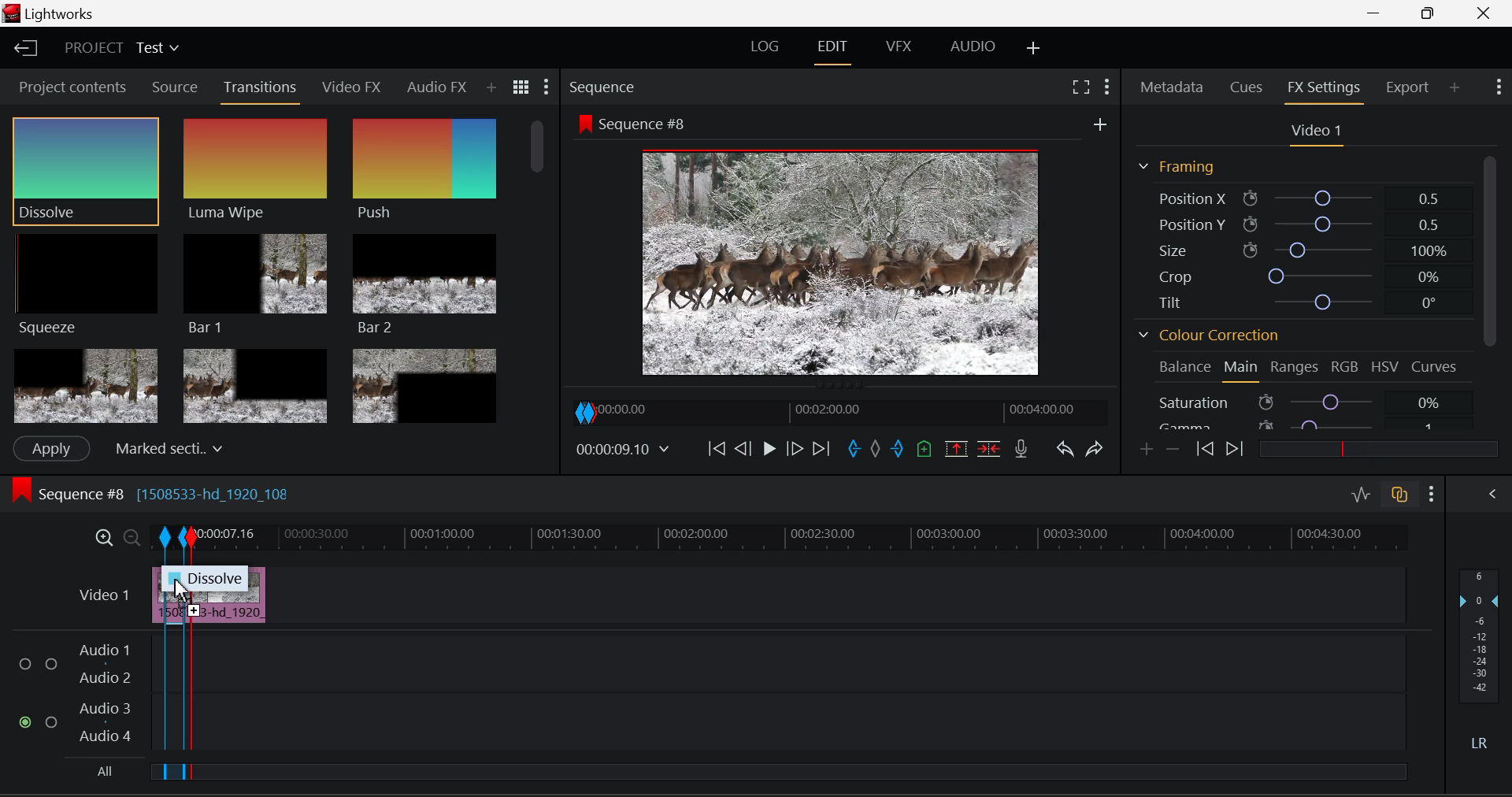  I want to click on Mark Out, so click(898, 451).